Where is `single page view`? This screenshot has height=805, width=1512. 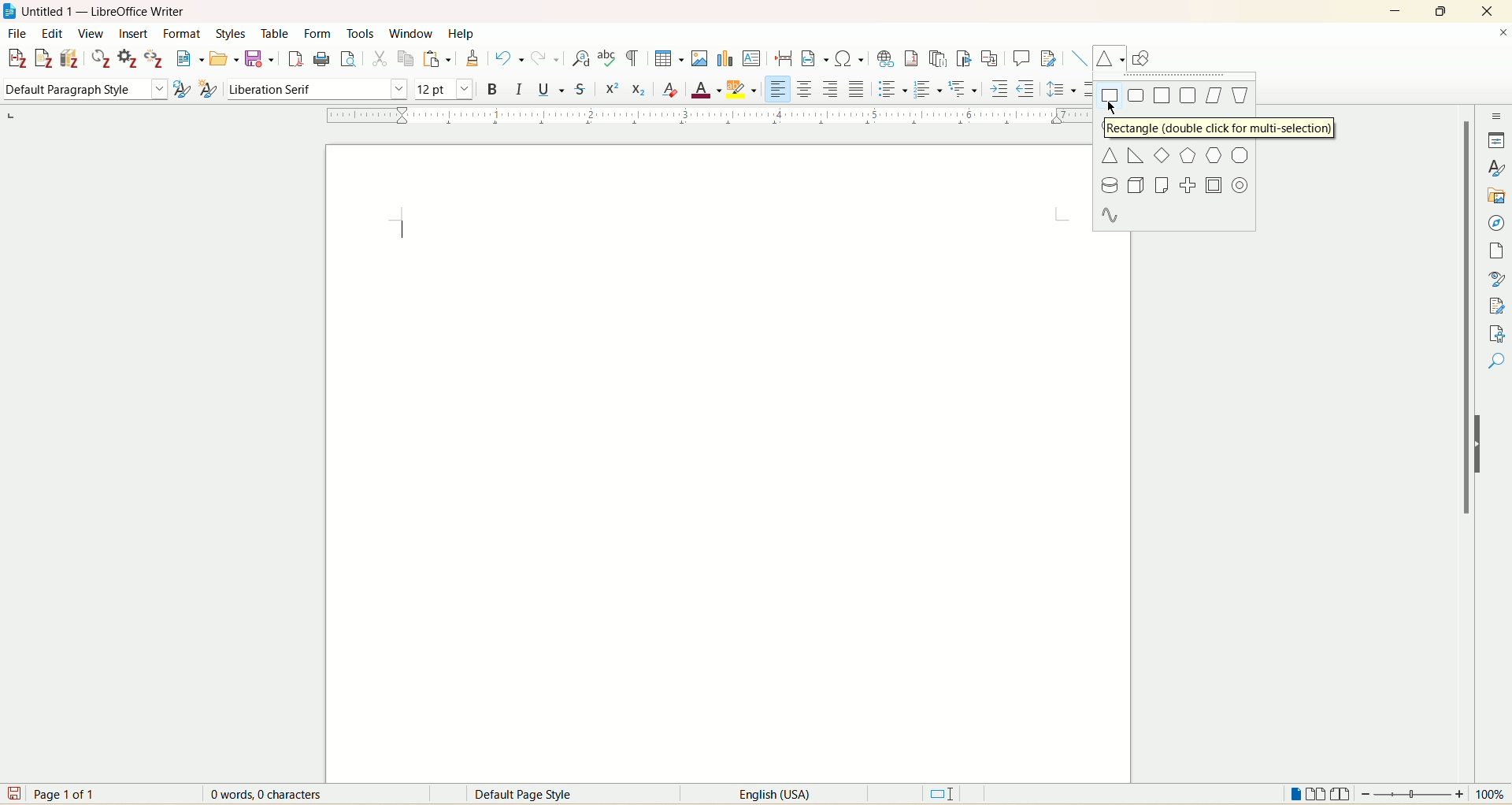
single page view is located at coordinates (1295, 793).